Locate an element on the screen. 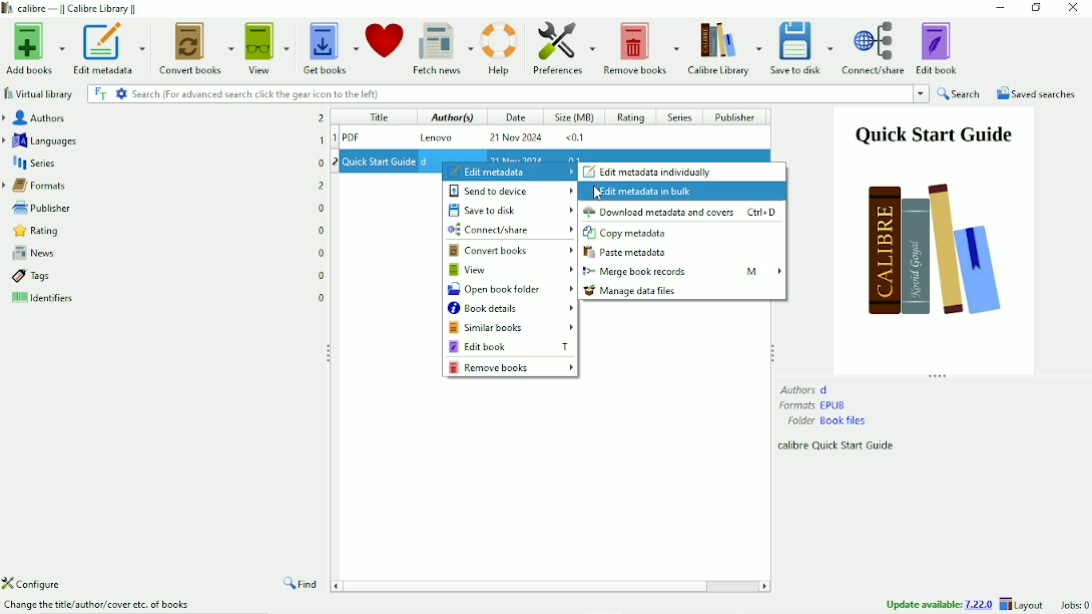 The height and width of the screenshot is (614, 1092). Formats is located at coordinates (814, 405).